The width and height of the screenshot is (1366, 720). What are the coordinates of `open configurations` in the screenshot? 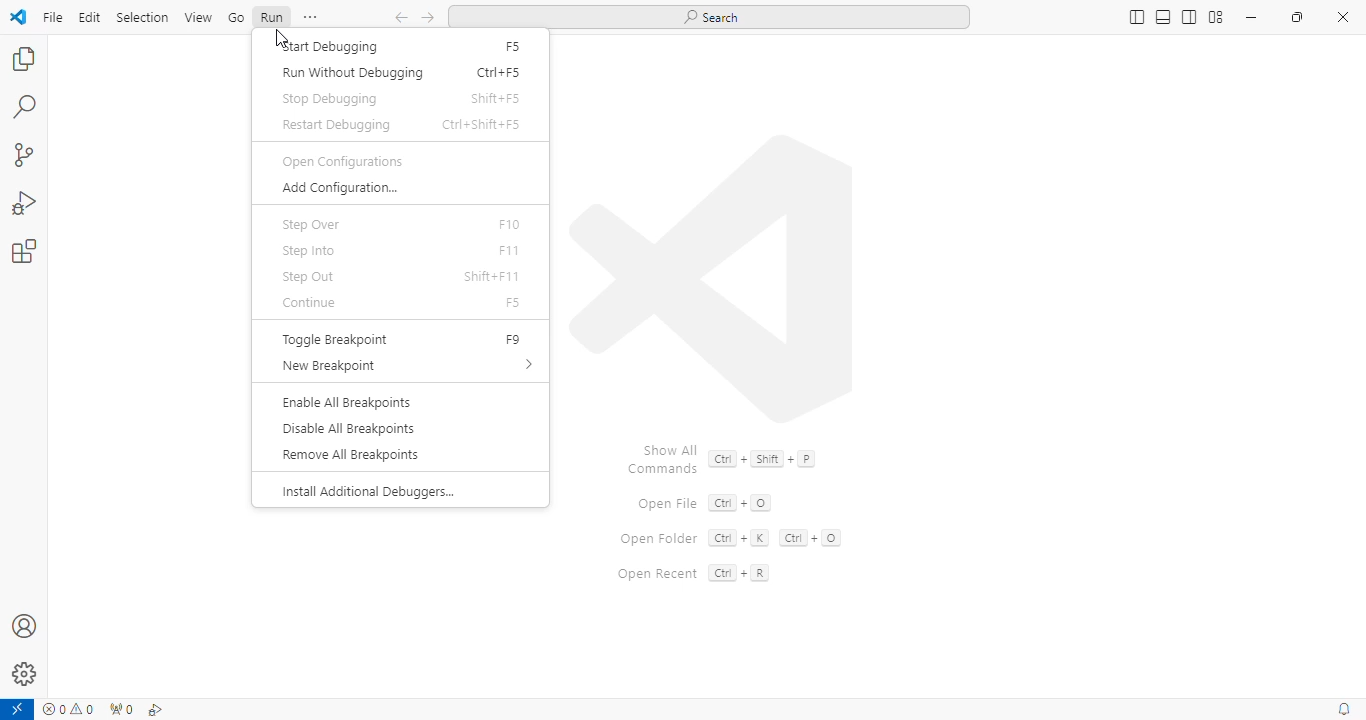 It's located at (342, 161).